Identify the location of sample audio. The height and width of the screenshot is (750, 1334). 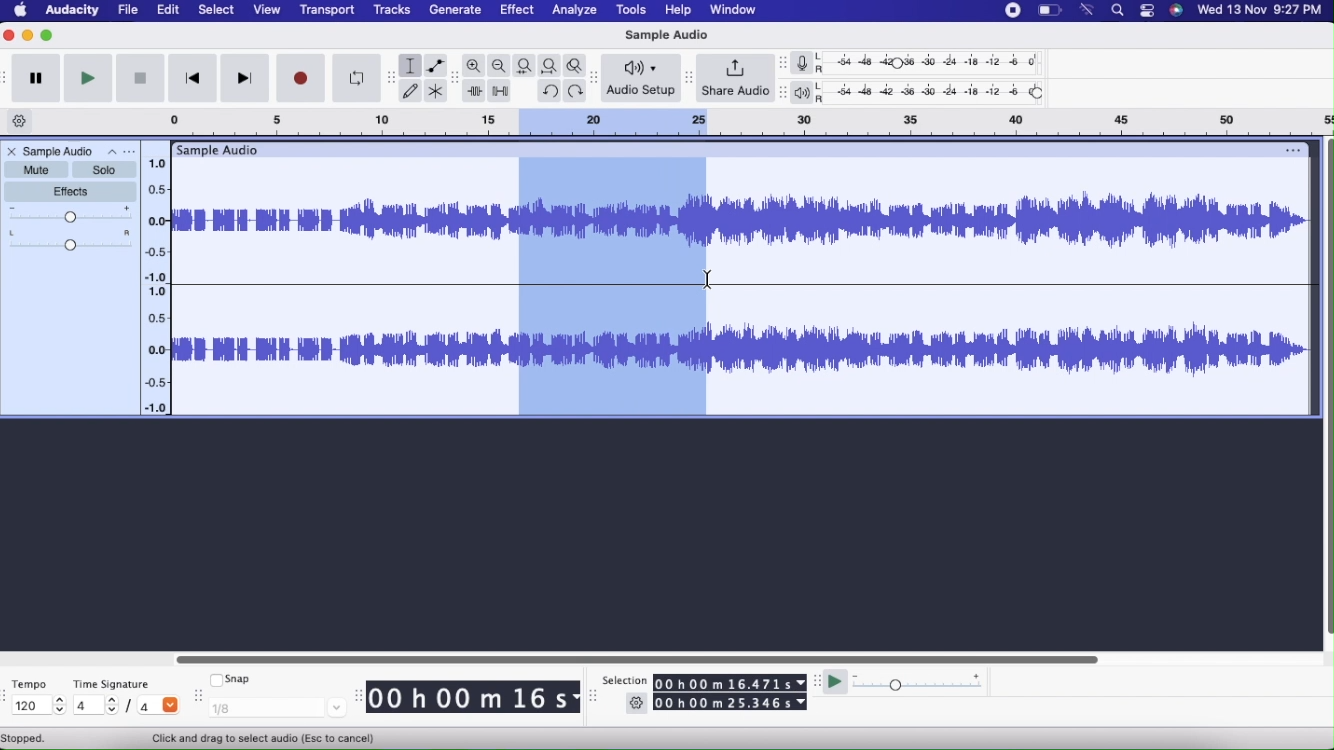
(218, 150).